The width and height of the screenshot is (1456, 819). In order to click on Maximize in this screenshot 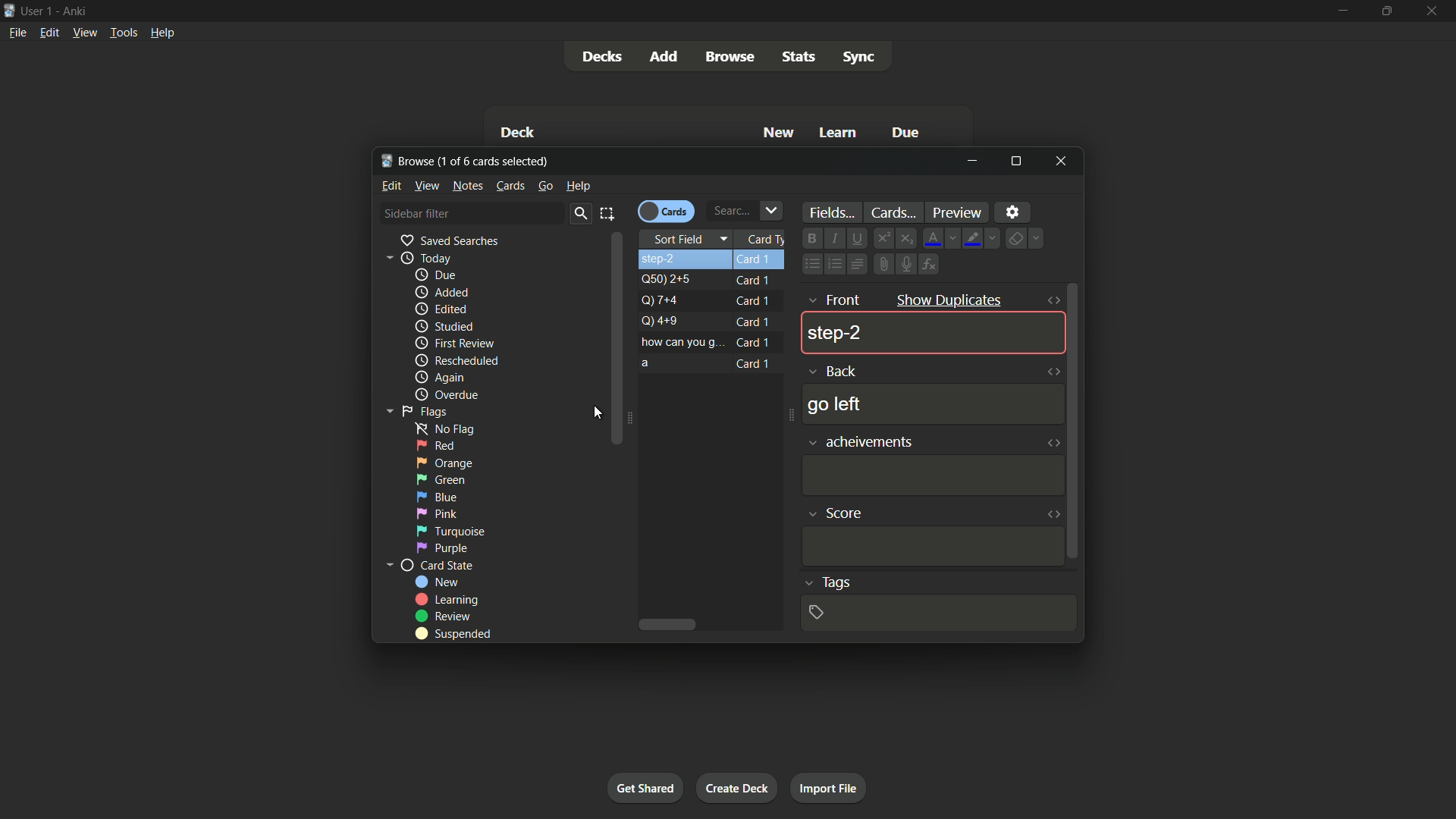, I will do `click(1385, 11)`.